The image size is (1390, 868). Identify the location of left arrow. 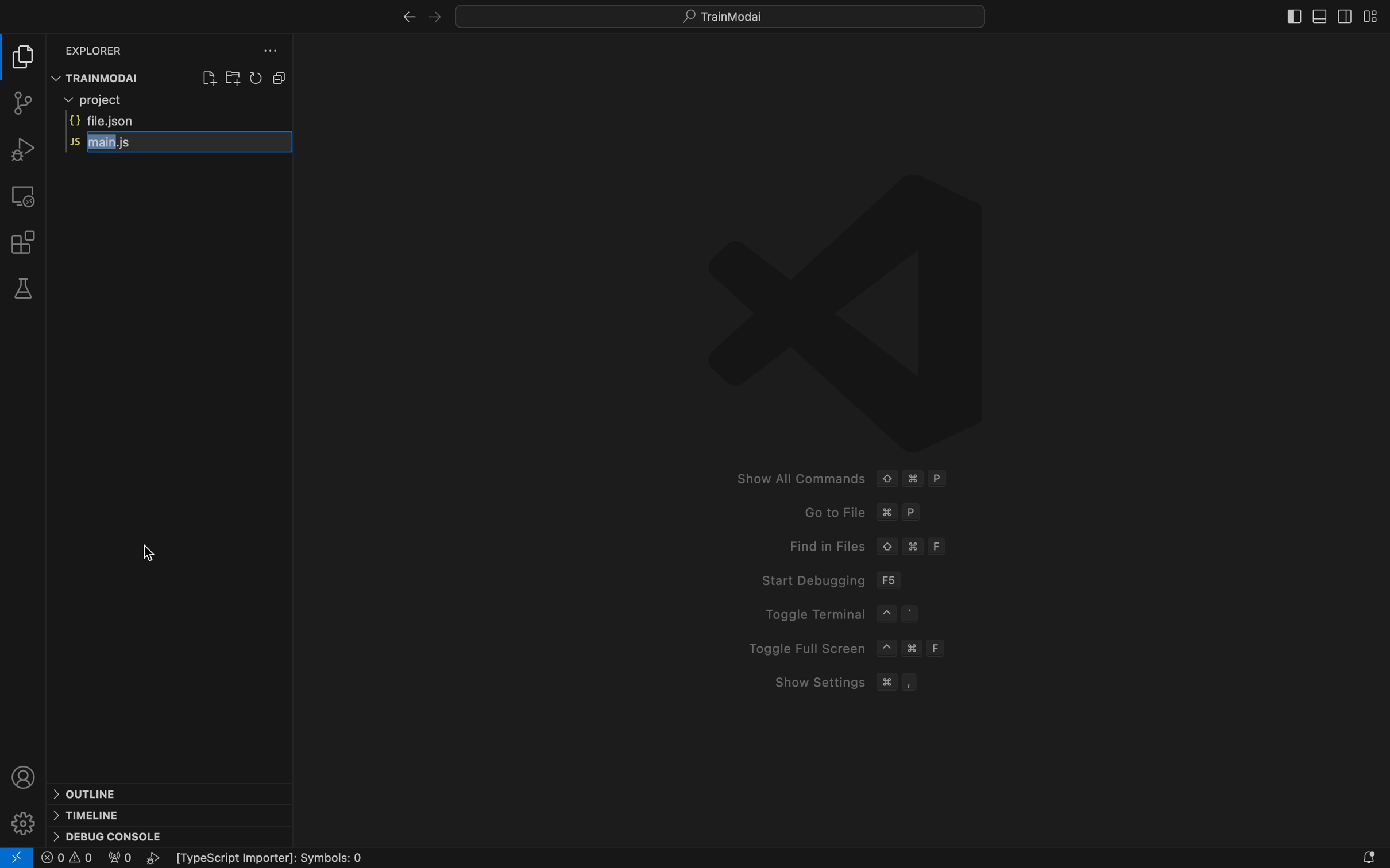
(435, 17).